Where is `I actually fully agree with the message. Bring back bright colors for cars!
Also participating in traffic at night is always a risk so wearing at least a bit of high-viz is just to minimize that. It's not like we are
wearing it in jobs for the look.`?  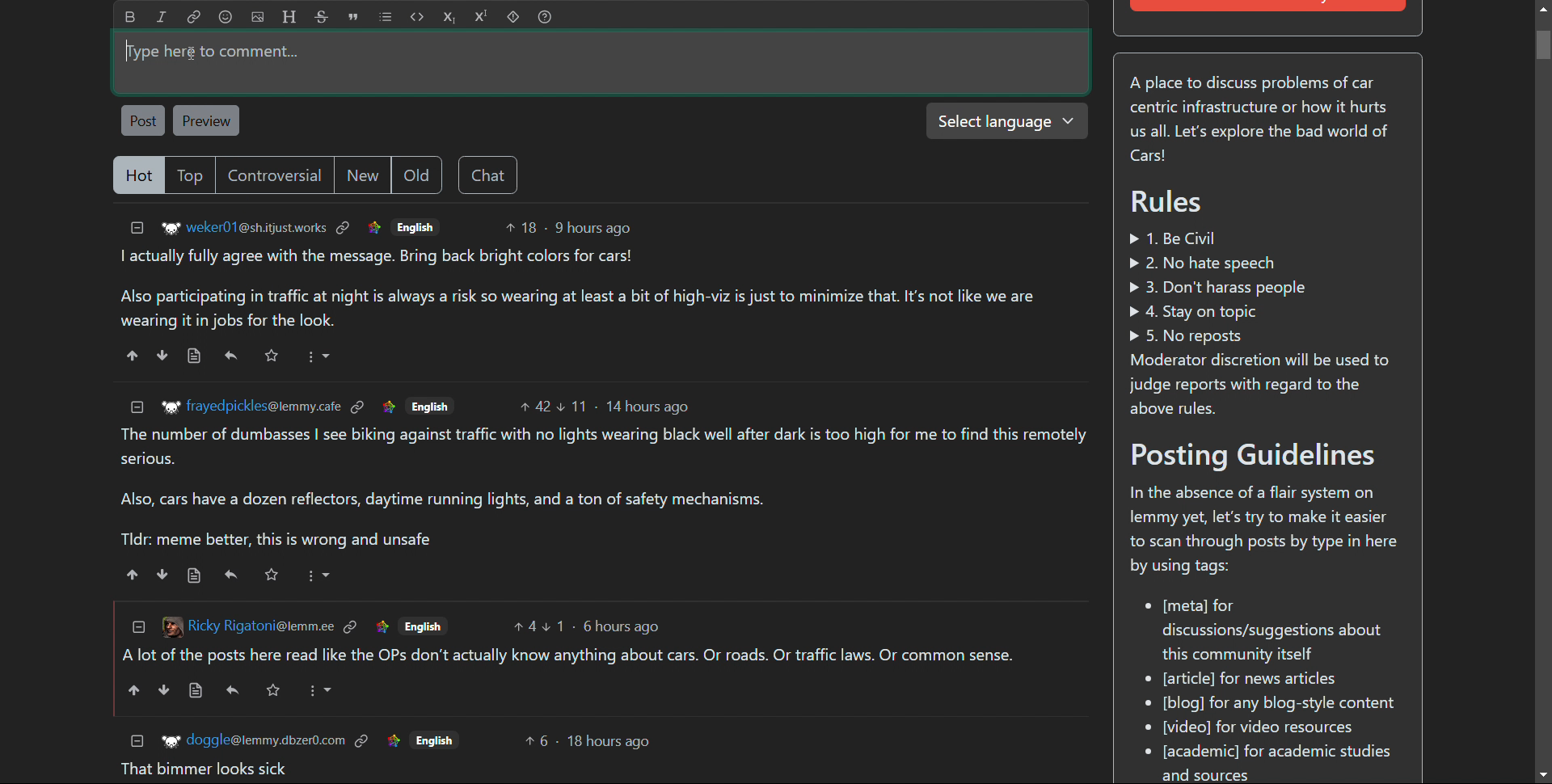
I actually fully agree with the message. Bring back bright colors for cars!
Also participating in traffic at night is always a risk so wearing at least a bit of high-viz is just to minimize that. It's not like we are
wearing it in jobs for the look. is located at coordinates (573, 289).